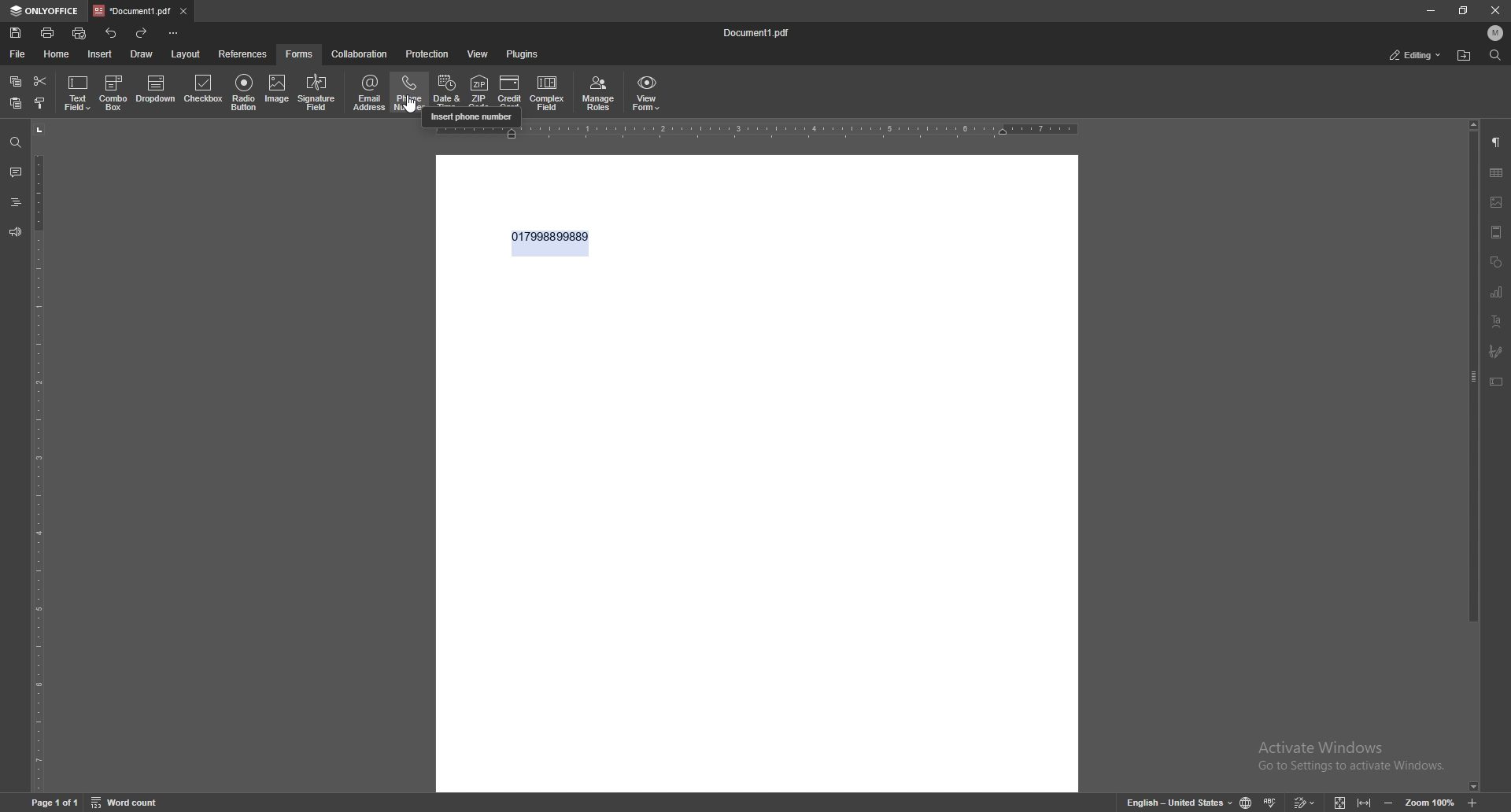  What do you see at coordinates (1389, 803) in the screenshot?
I see `zoom out` at bounding box center [1389, 803].